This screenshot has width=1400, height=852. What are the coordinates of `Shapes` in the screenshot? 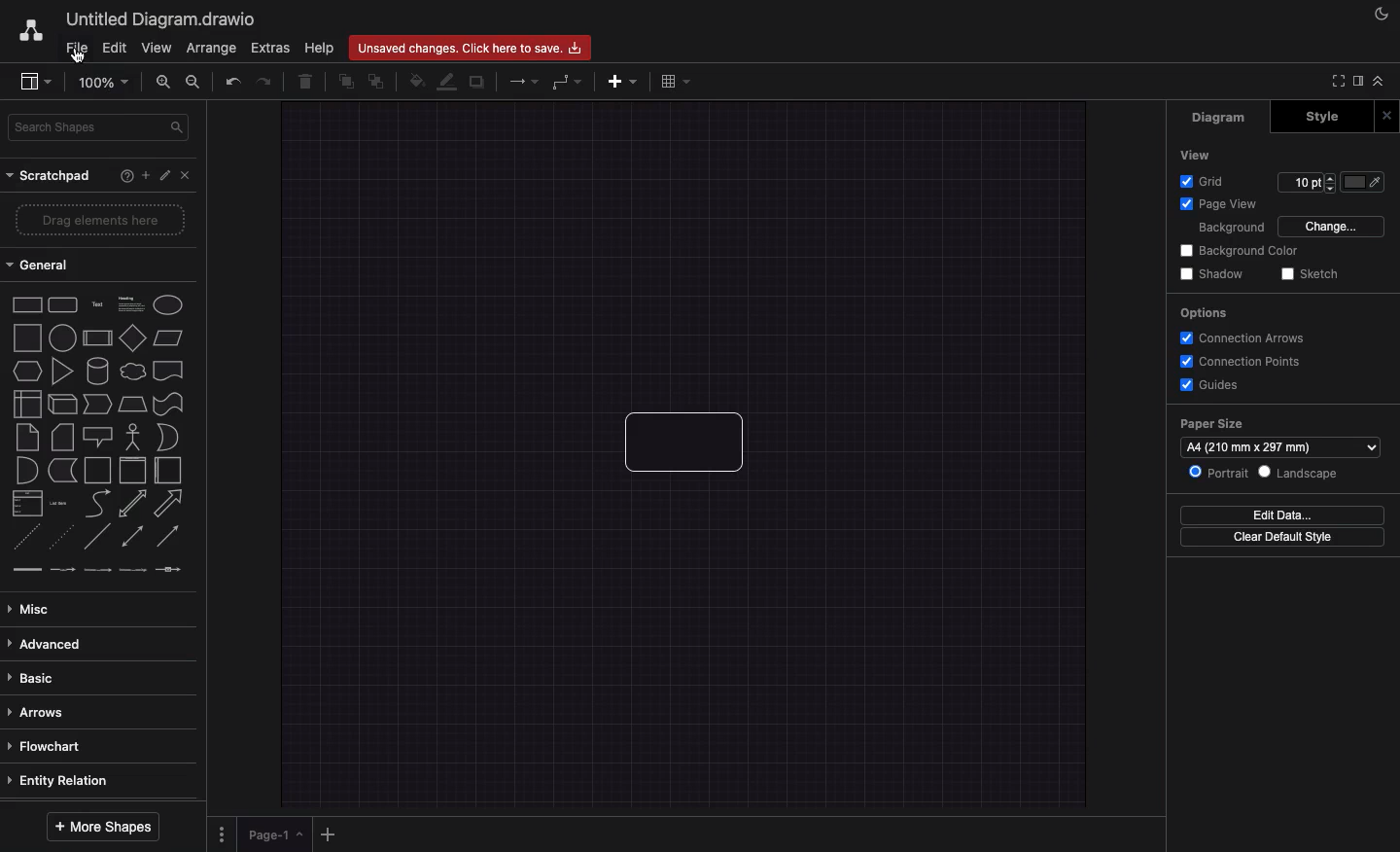 It's located at (99, 434).